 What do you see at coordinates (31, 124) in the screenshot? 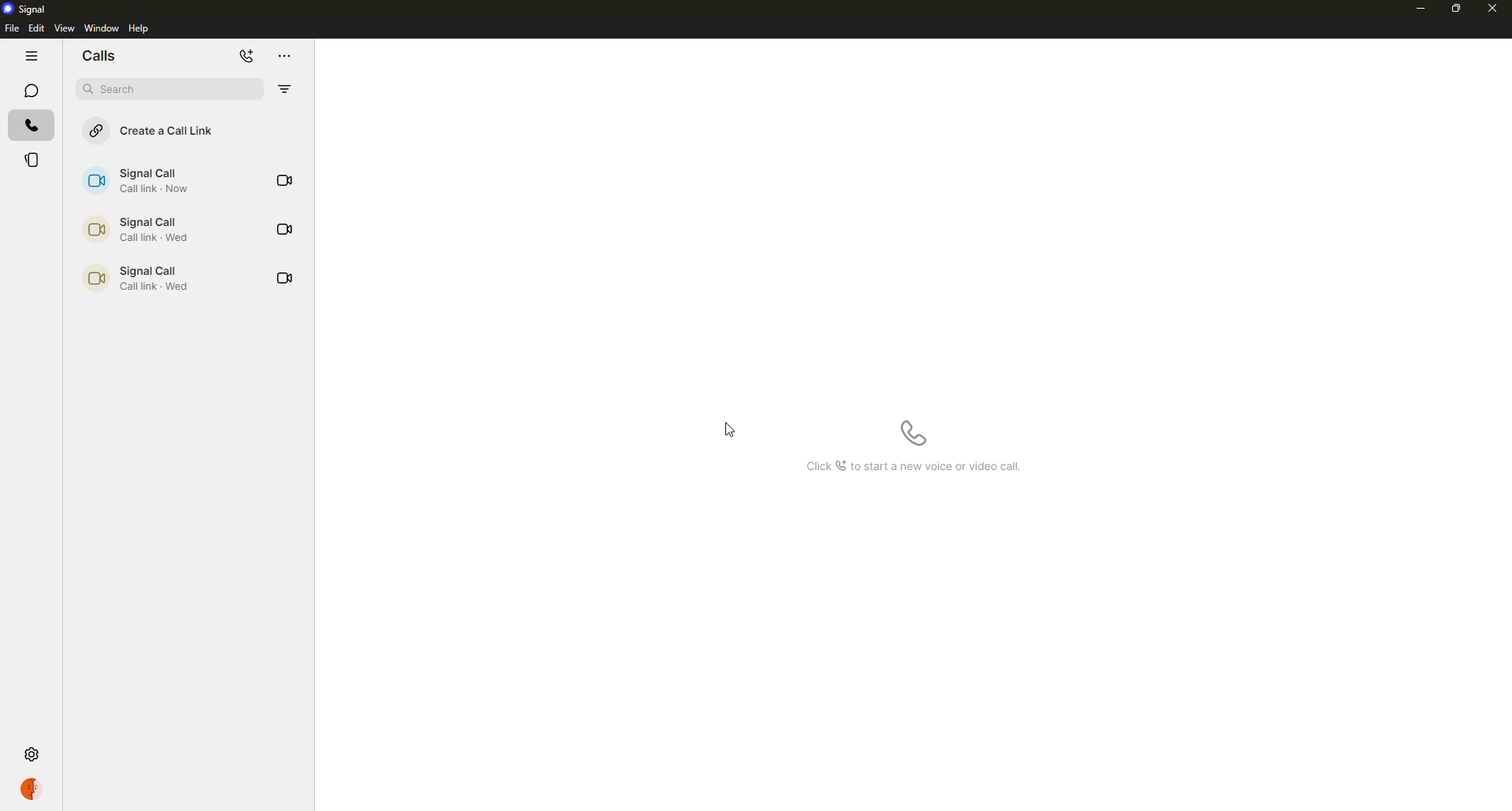
I see `calls` at bounding box center [31, 124].